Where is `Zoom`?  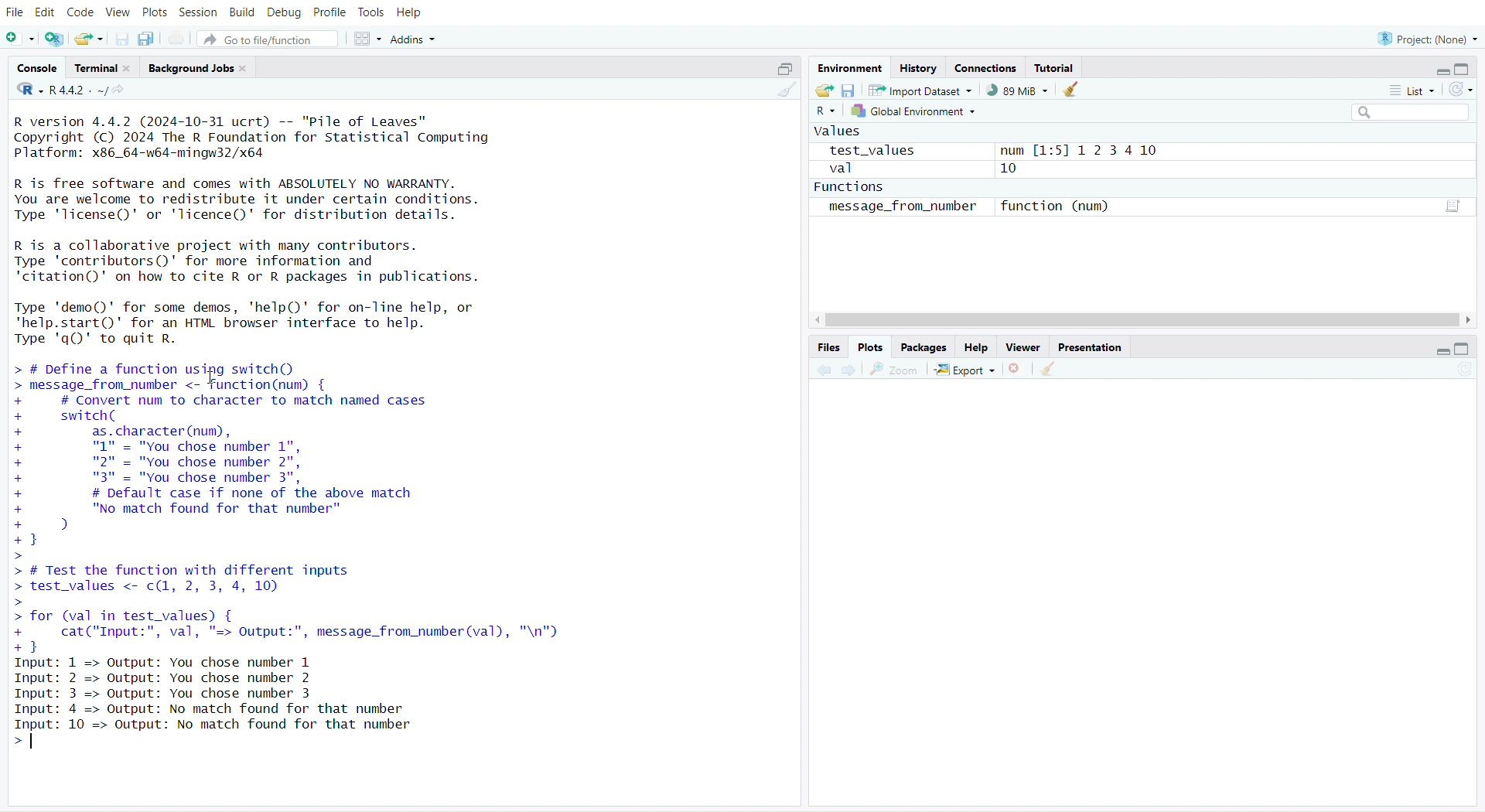 Zoom is located at coordinates (897, 369).